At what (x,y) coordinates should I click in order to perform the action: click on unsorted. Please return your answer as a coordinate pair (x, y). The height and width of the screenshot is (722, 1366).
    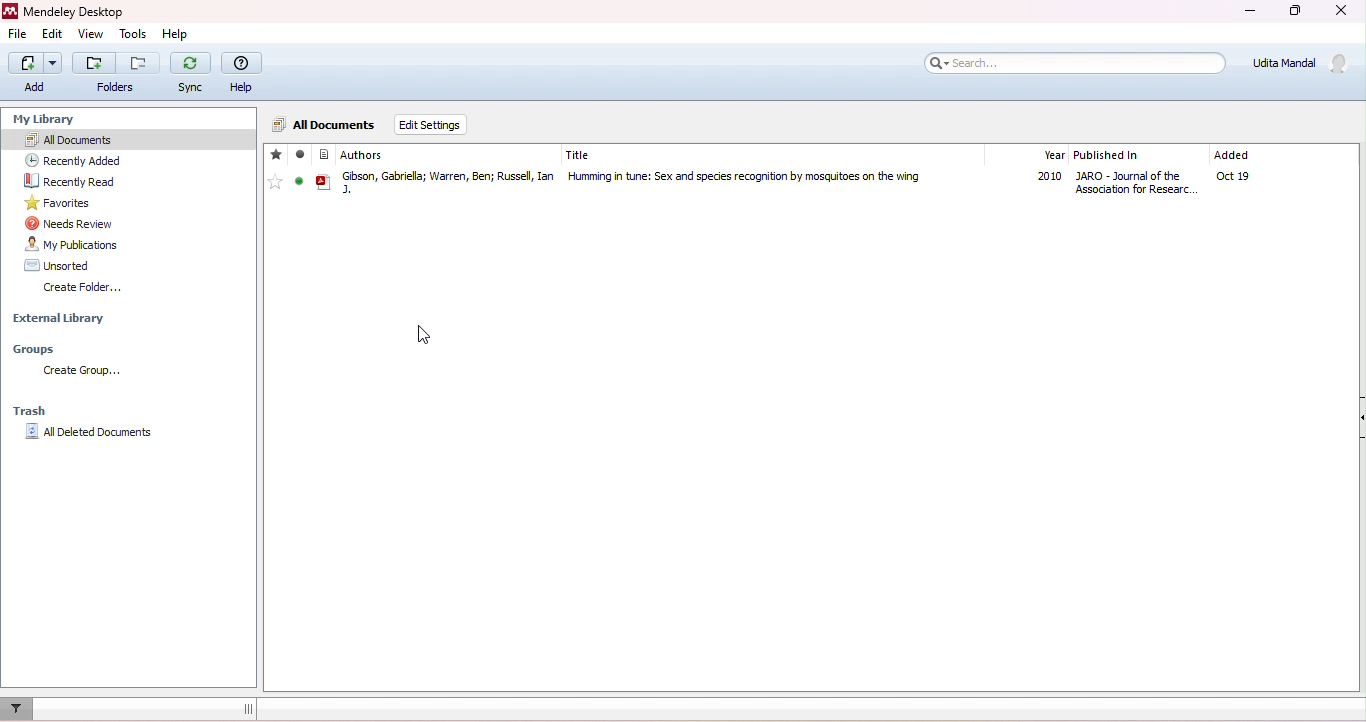
    Looking at the image, I should click on (60, 267).